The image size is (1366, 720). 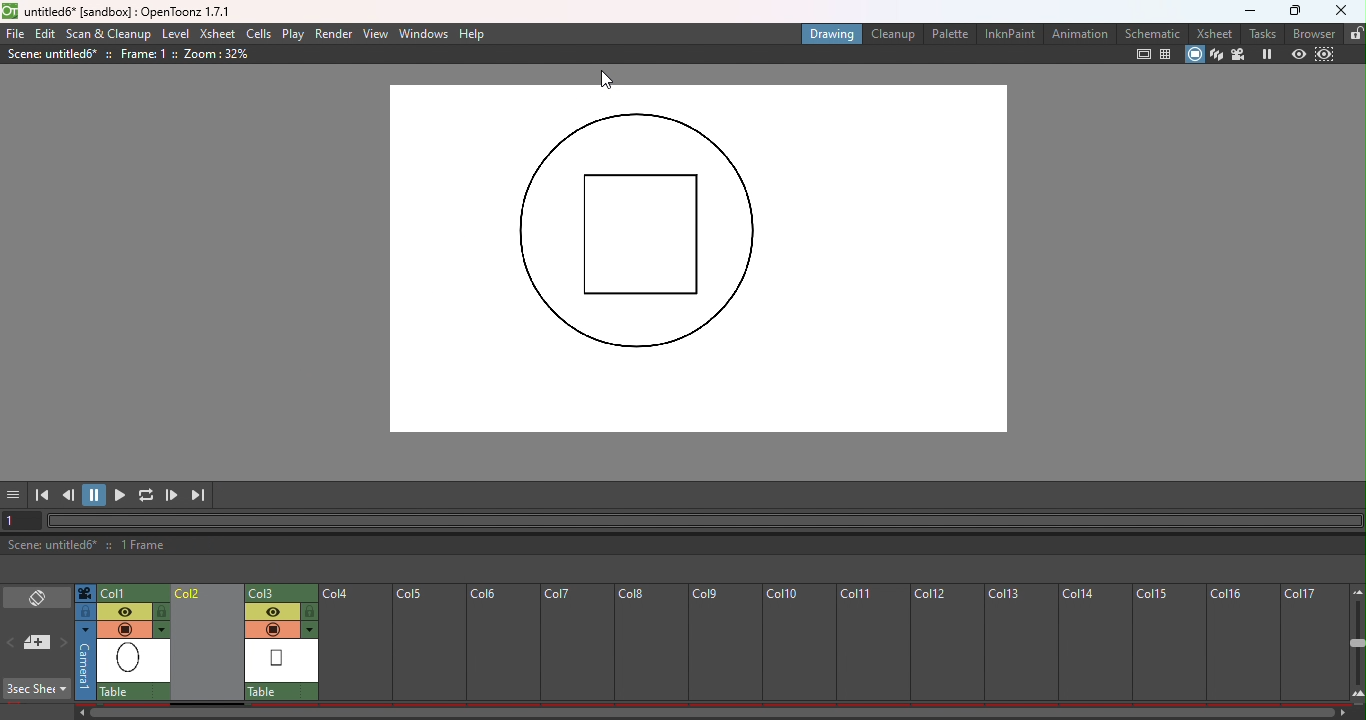 I want to click on Maximize, so click(x=1290, y=12).